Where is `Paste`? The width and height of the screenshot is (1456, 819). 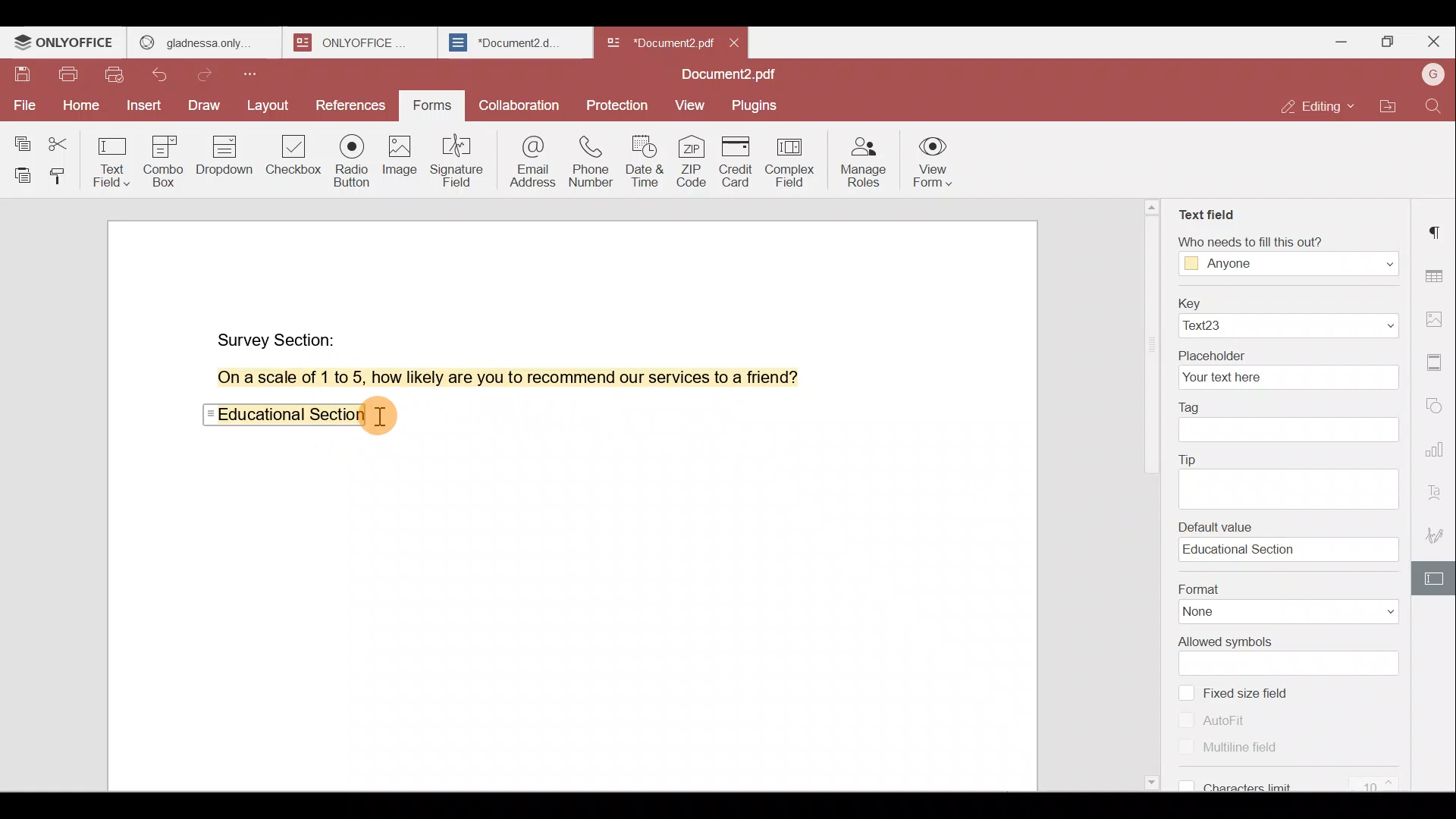 Paste is located at coordinates (18, 175).